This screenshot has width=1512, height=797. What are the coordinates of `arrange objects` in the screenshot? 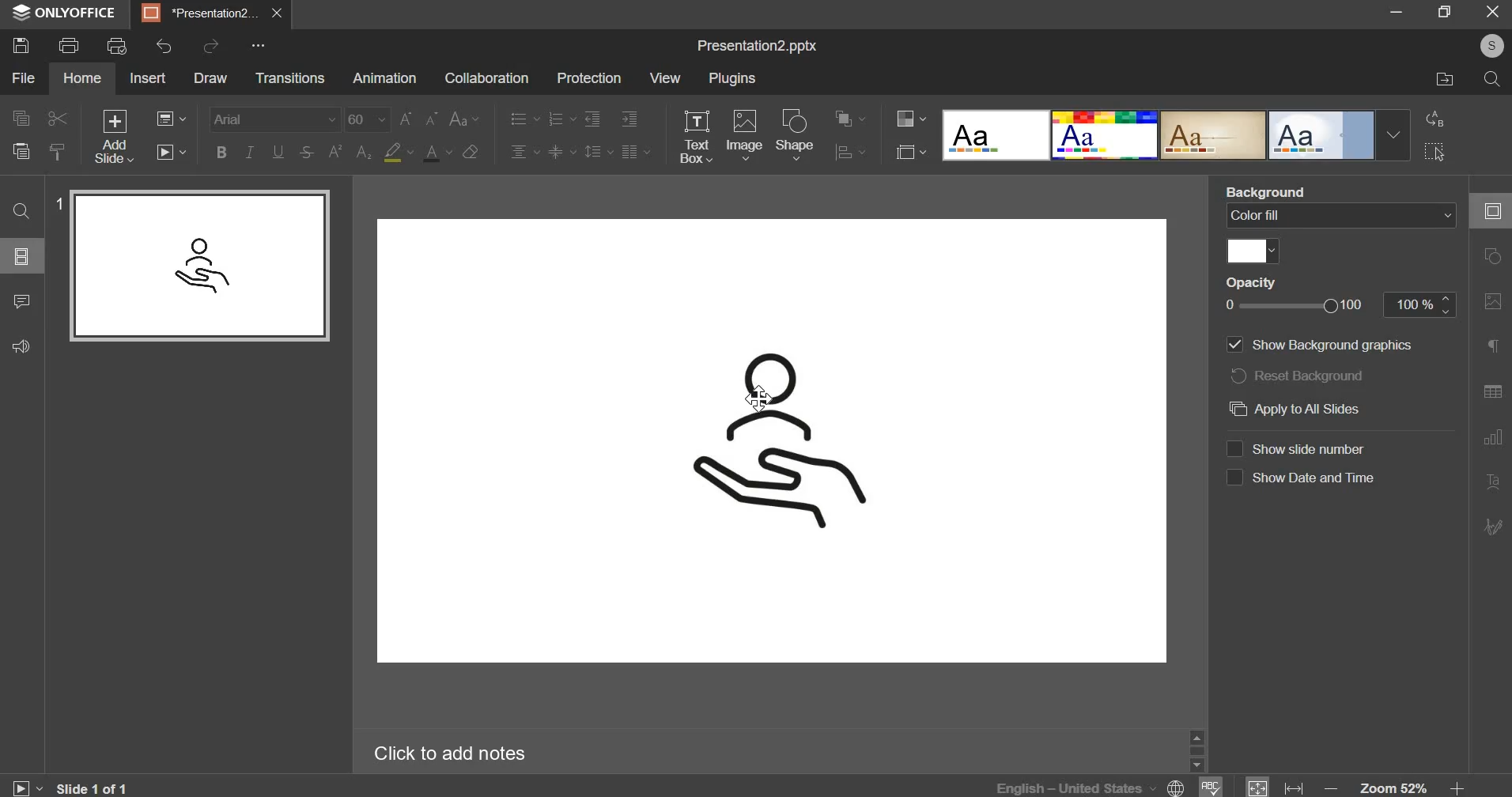 It's located at (852, 118).